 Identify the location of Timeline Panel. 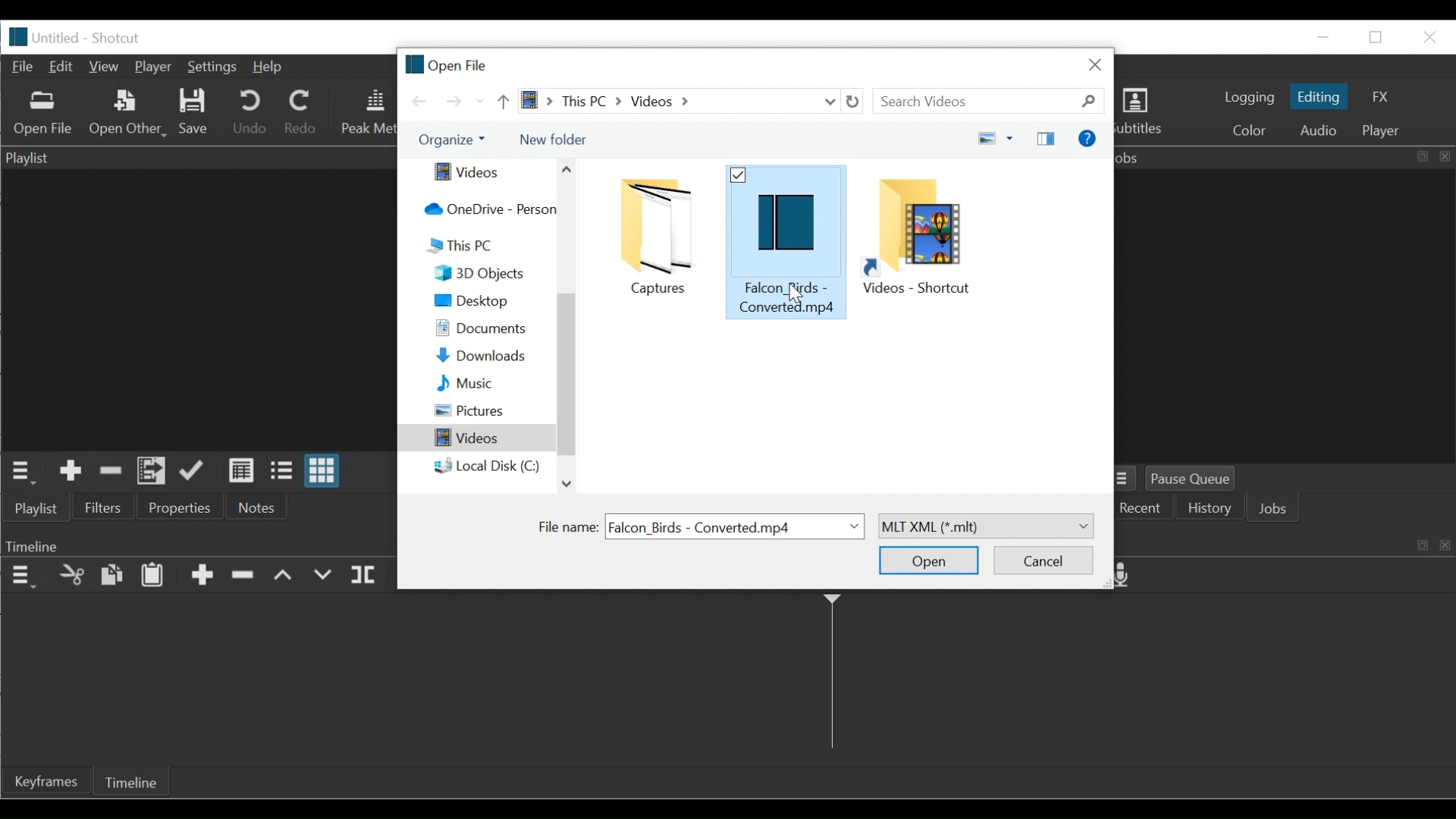
(21, 576).